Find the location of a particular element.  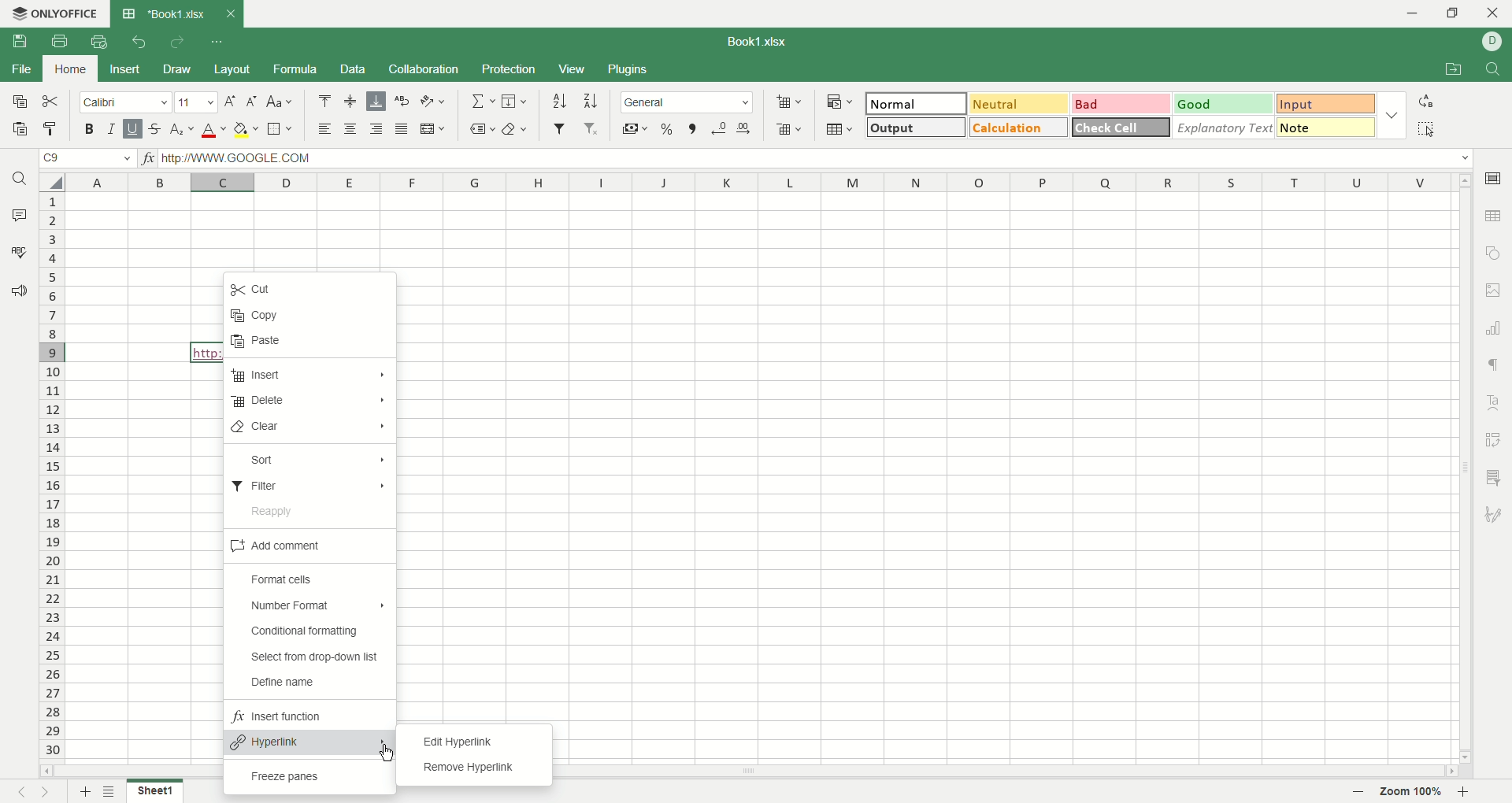

feedback and support is located at coordinates (17, 290).